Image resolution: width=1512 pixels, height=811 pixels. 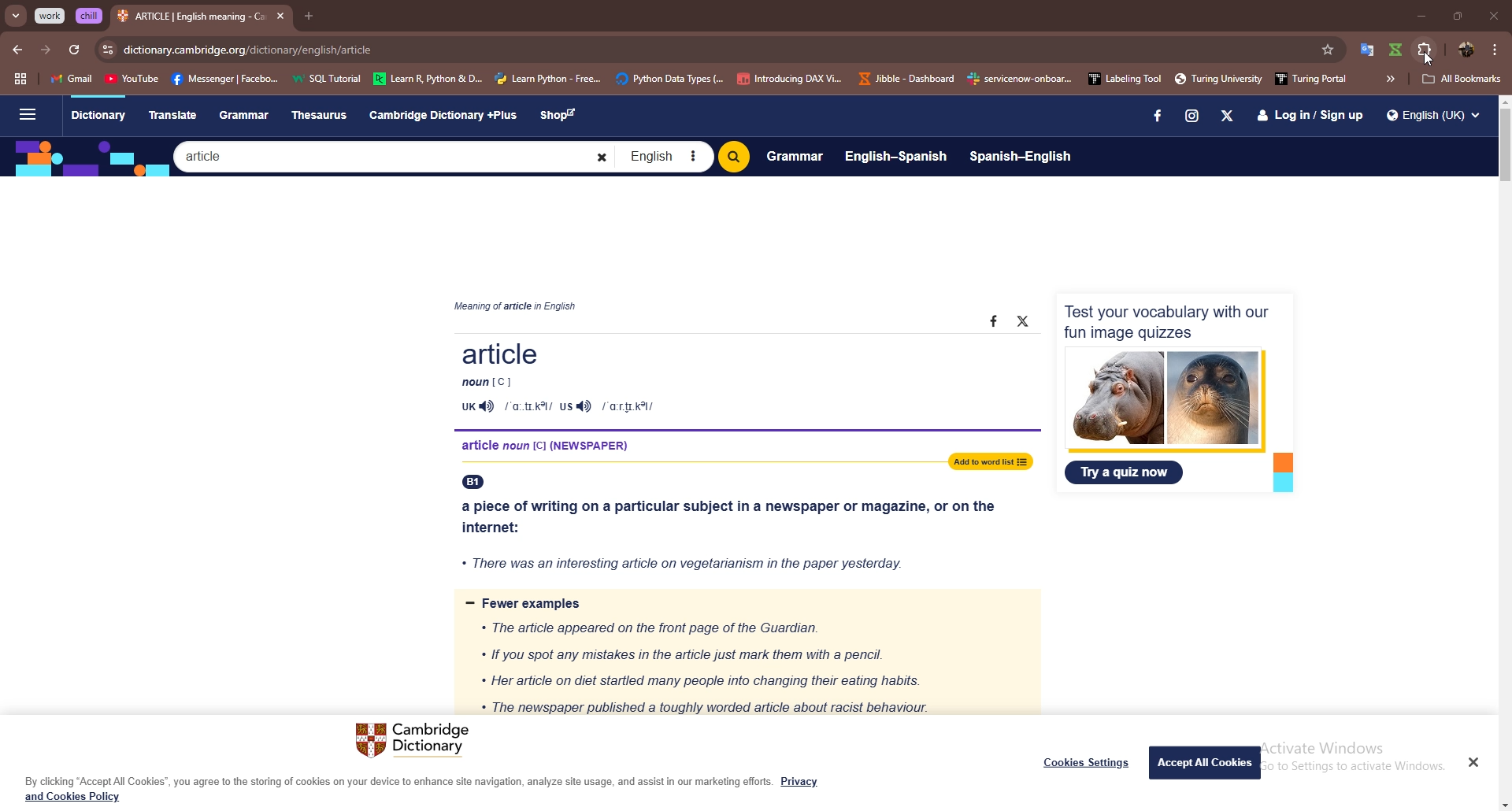 I want to click on X, so click(x=1228, y=116).